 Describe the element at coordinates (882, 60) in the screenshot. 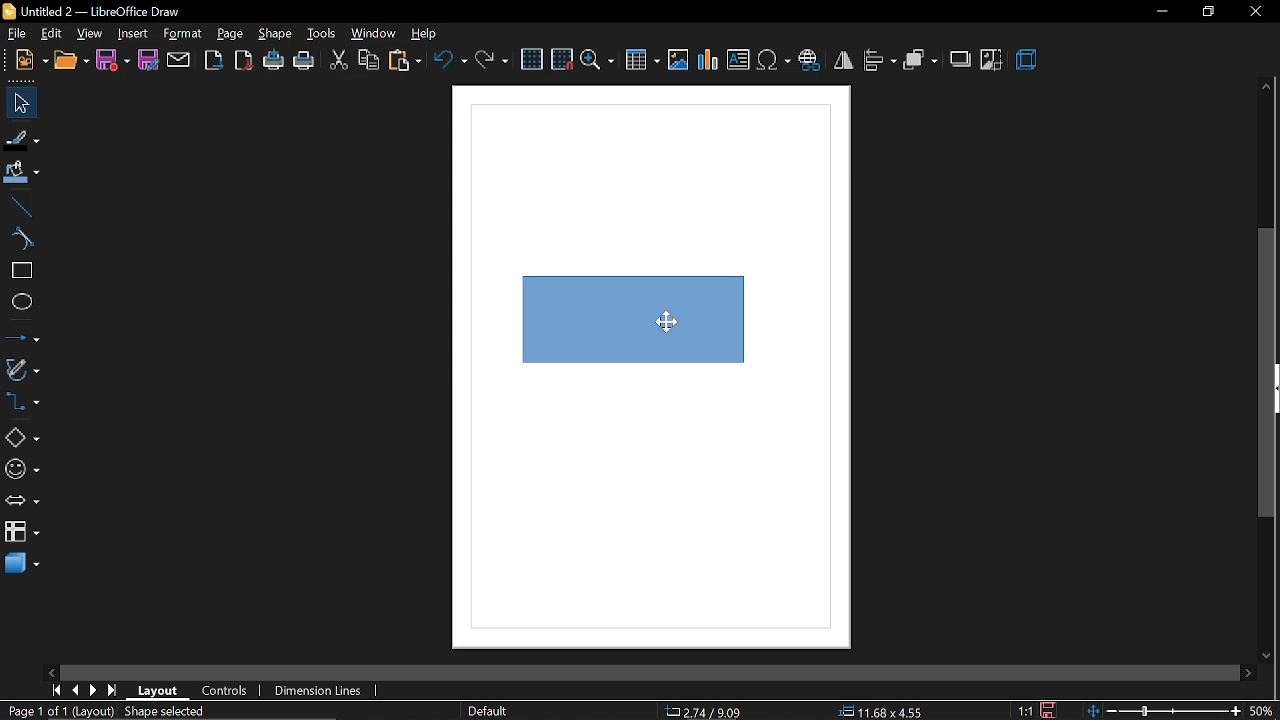

I see `align` at that location.